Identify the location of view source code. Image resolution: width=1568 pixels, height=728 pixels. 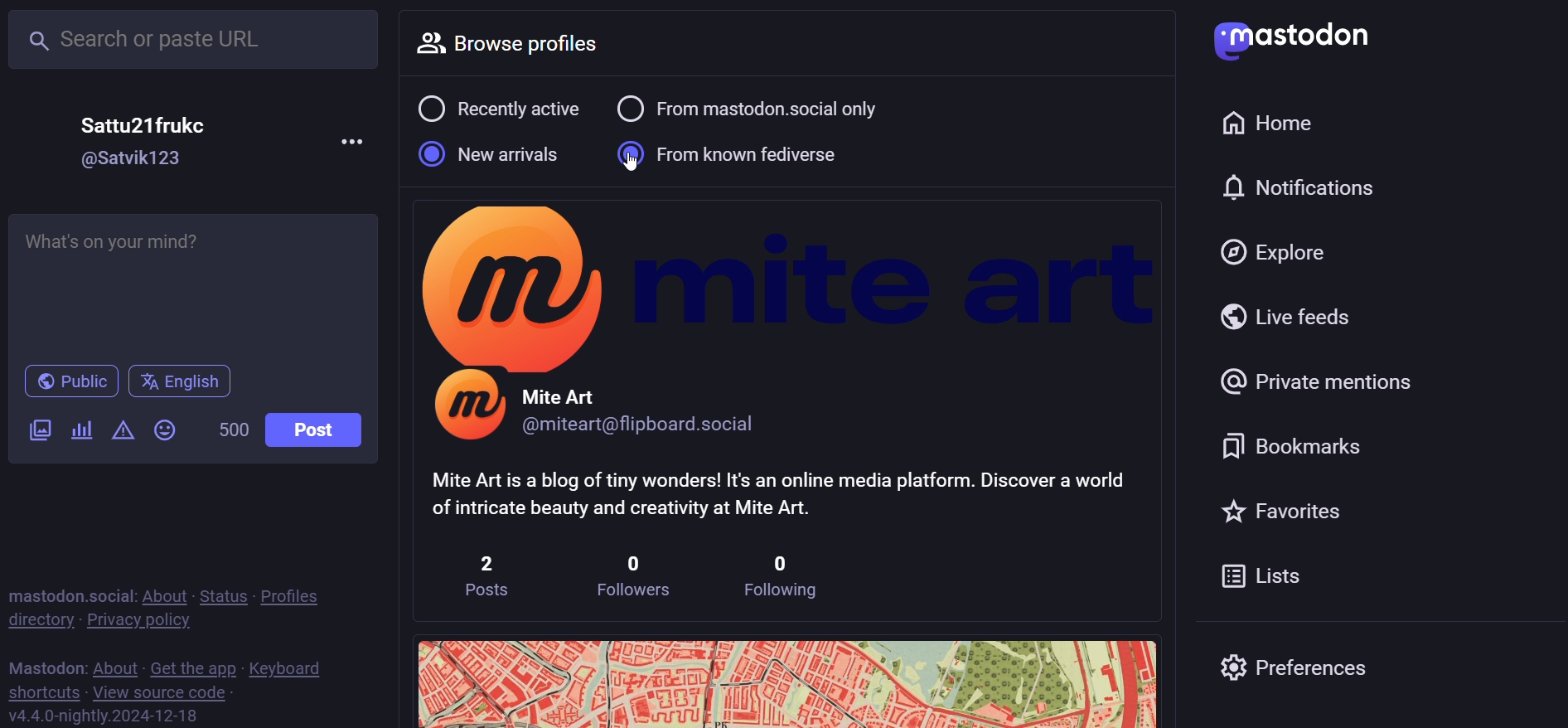
(163, 692).